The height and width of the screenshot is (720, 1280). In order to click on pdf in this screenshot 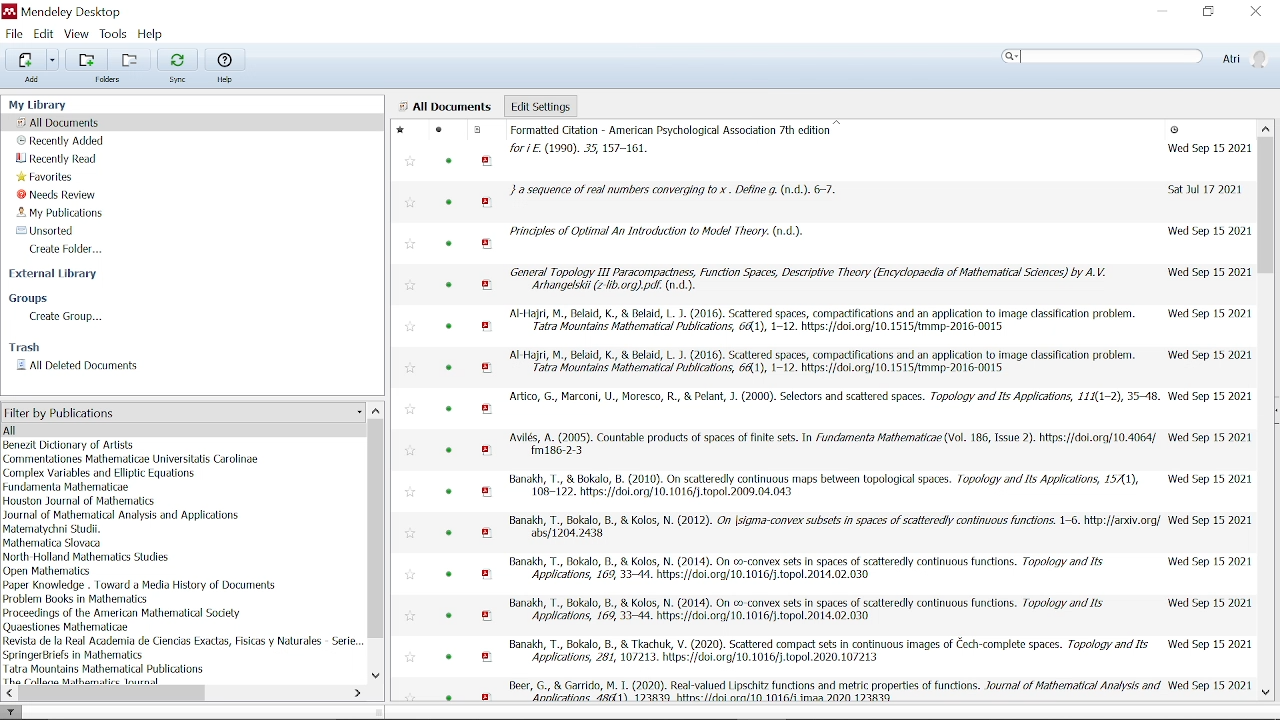, I will do `click(488, 492)`.